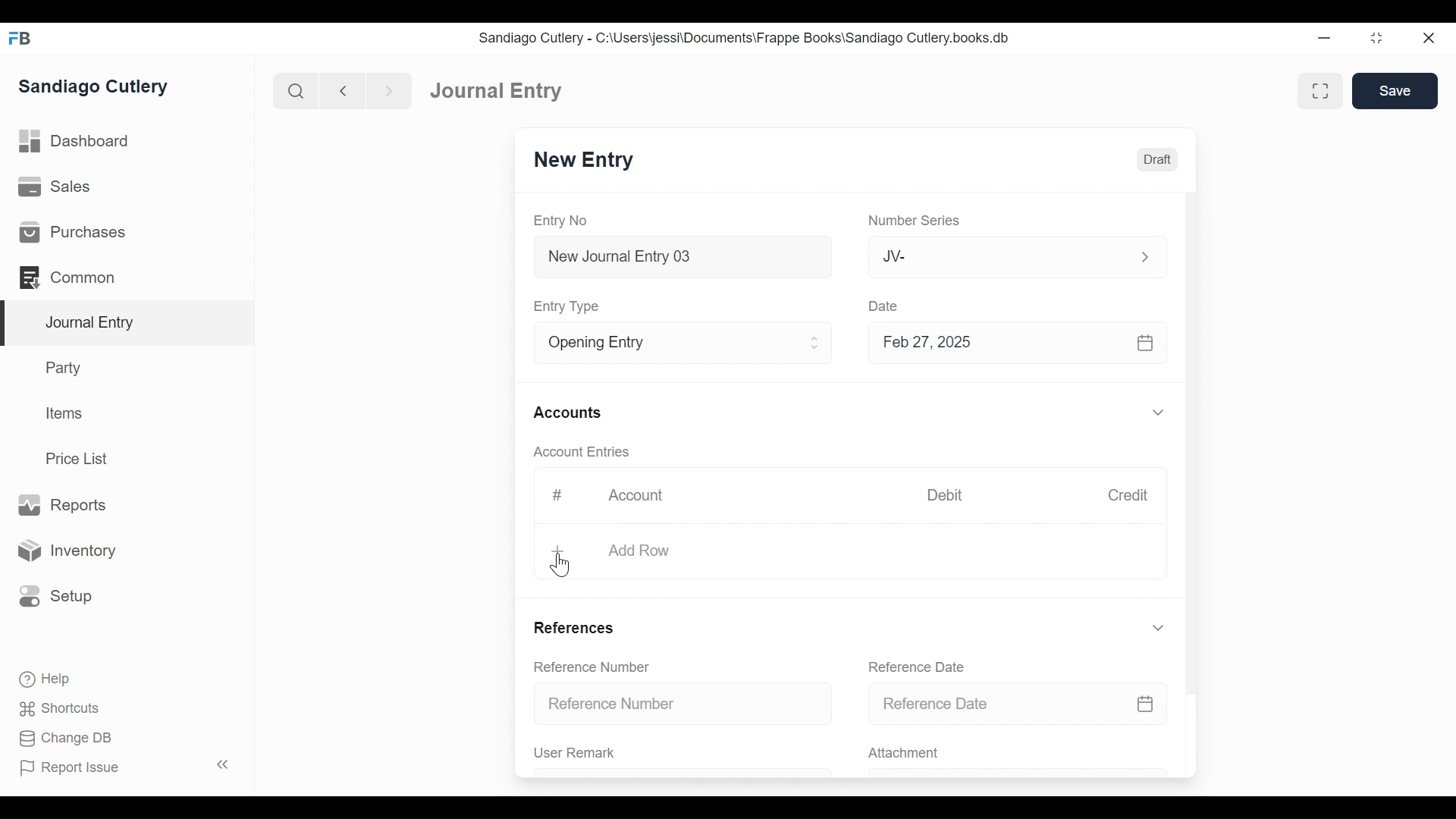 This screenshot has height=819, width=1456. What do you see at coordinates (1427, 38) in the screenshot?
I see `Close` at bounding box center [1427, 38].